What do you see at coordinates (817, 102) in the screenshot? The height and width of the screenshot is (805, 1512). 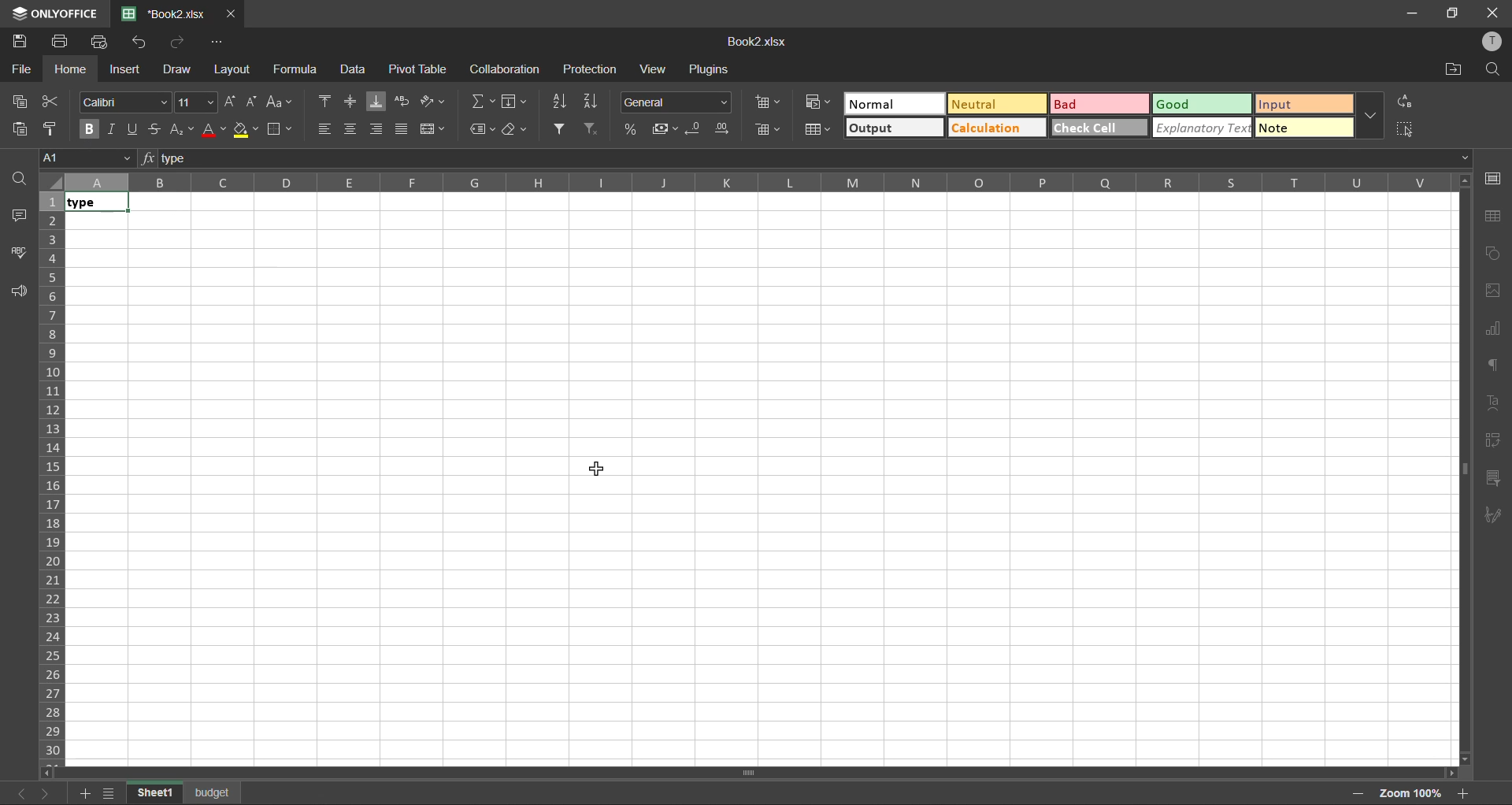 I see `conditional formatting` at bounding box center [817, 102].